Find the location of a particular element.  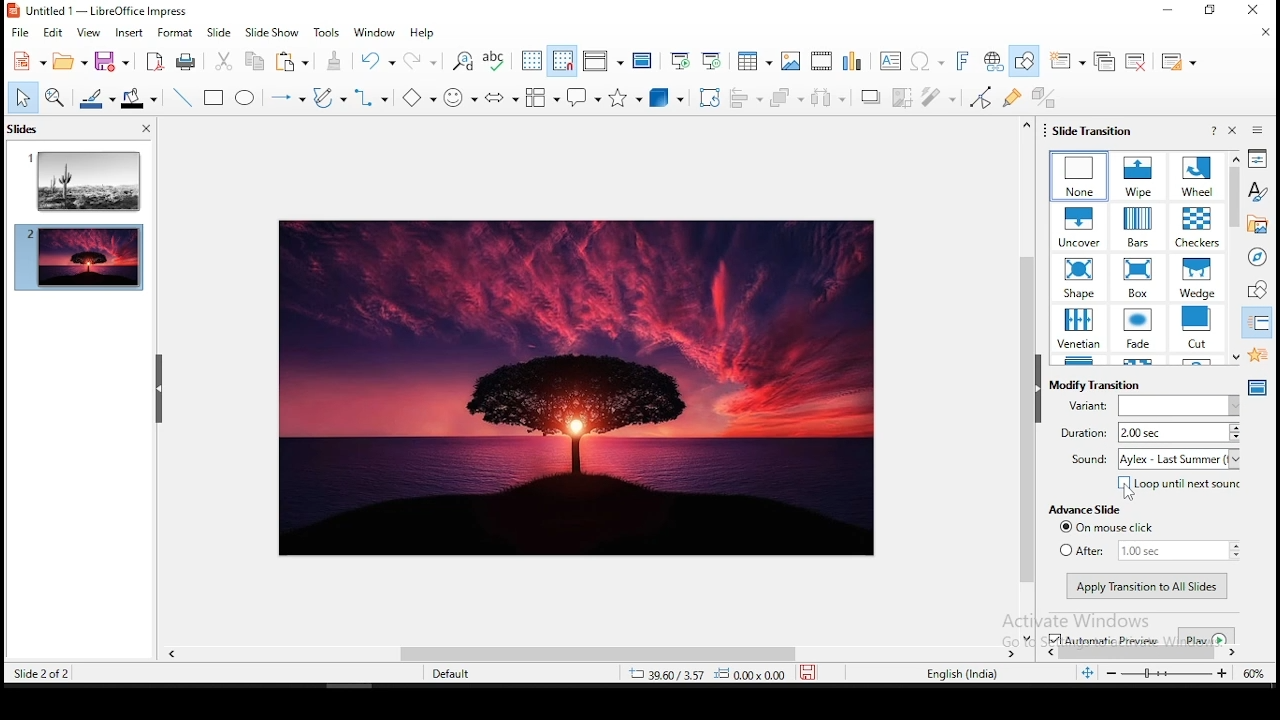

loop until next sound is located at coordinates (1176, 485).